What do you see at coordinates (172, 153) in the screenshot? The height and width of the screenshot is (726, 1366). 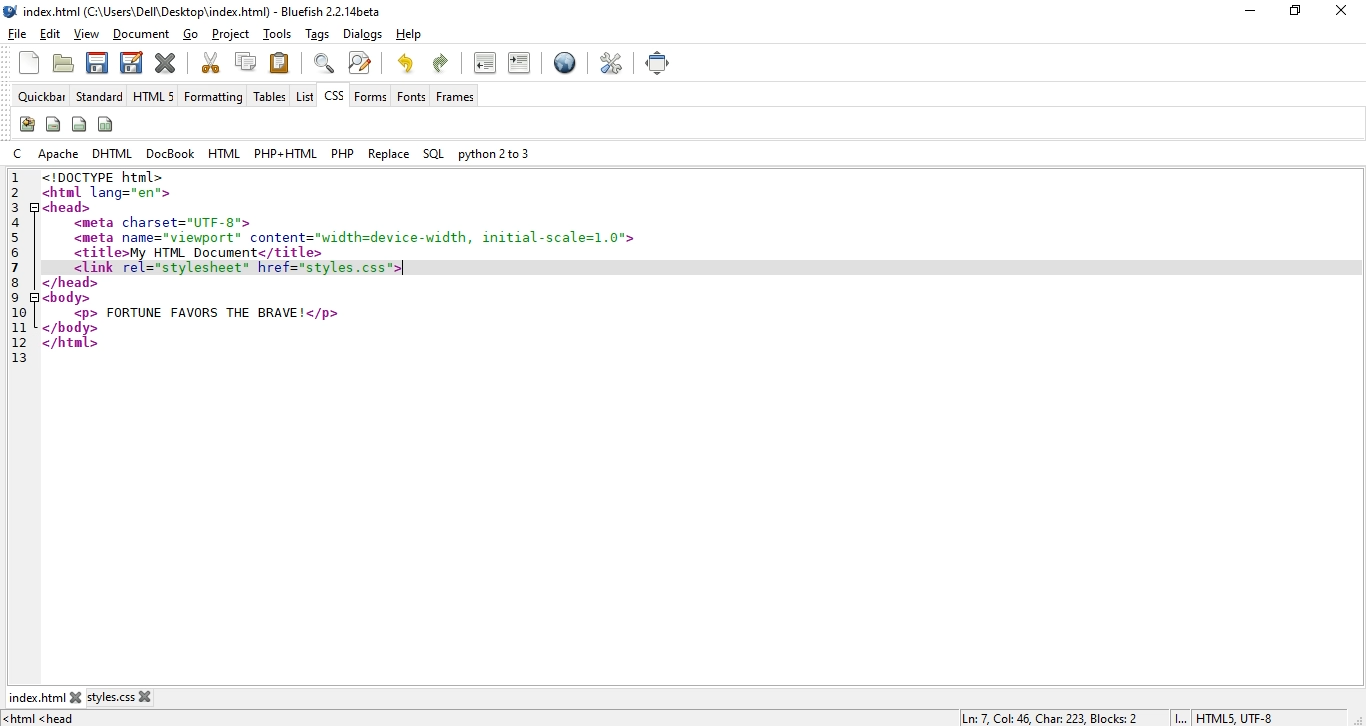 I see `docbook` at bounding box center [172, 153].